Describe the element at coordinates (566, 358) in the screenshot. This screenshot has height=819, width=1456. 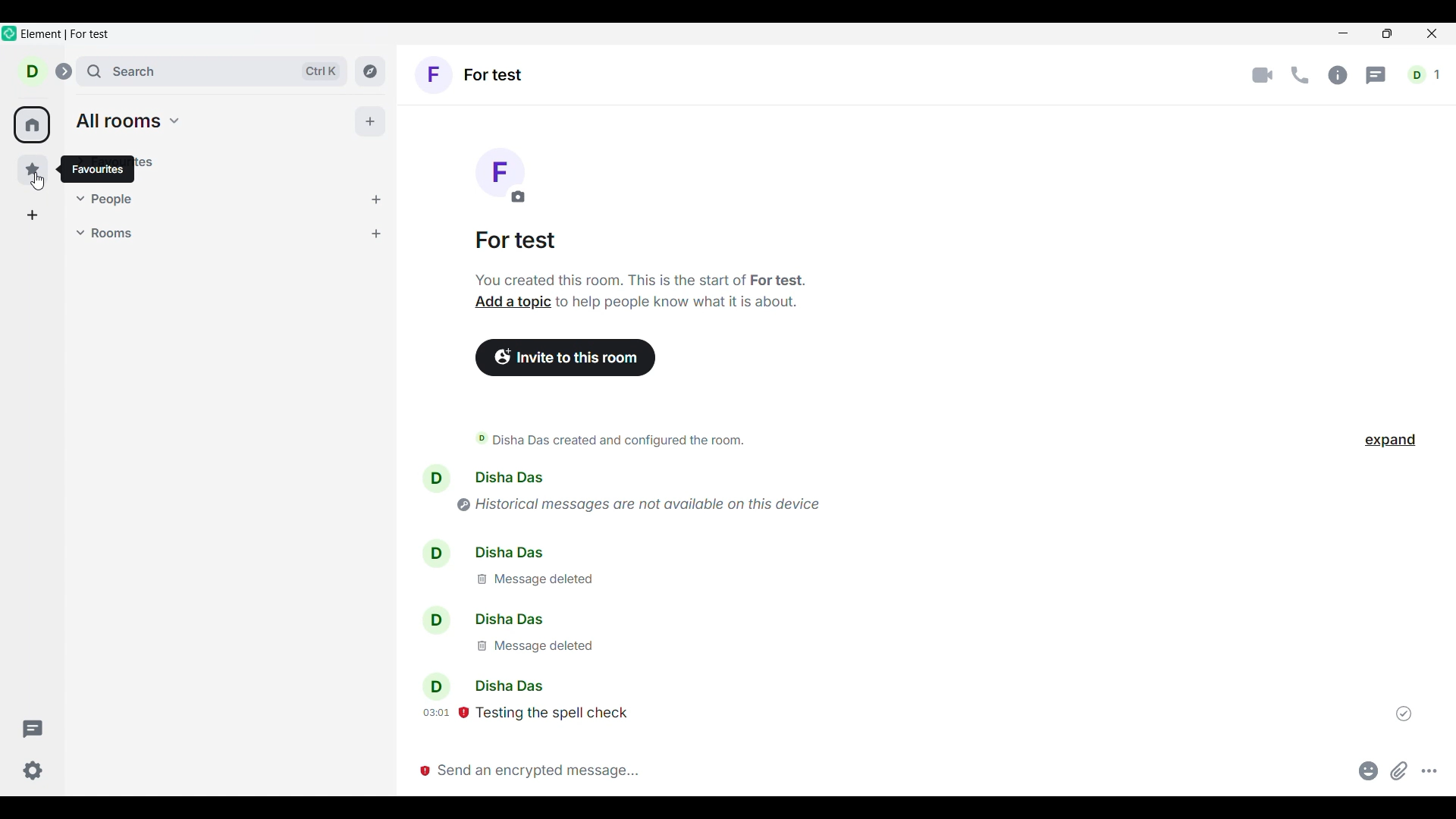
I see `Invite people to room` at that location.